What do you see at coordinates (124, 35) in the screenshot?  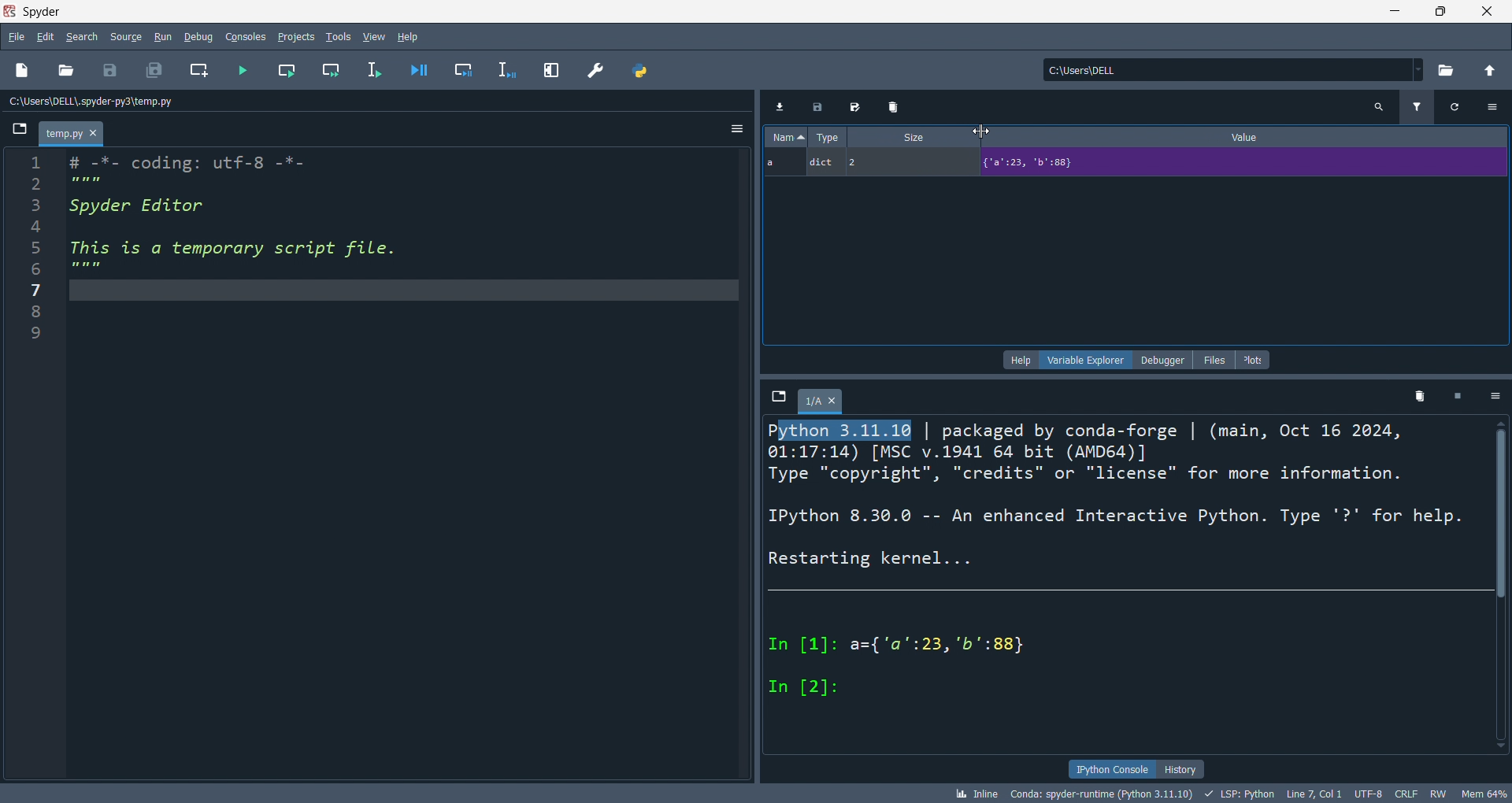 I see `source` at bounding box center [124, 35].